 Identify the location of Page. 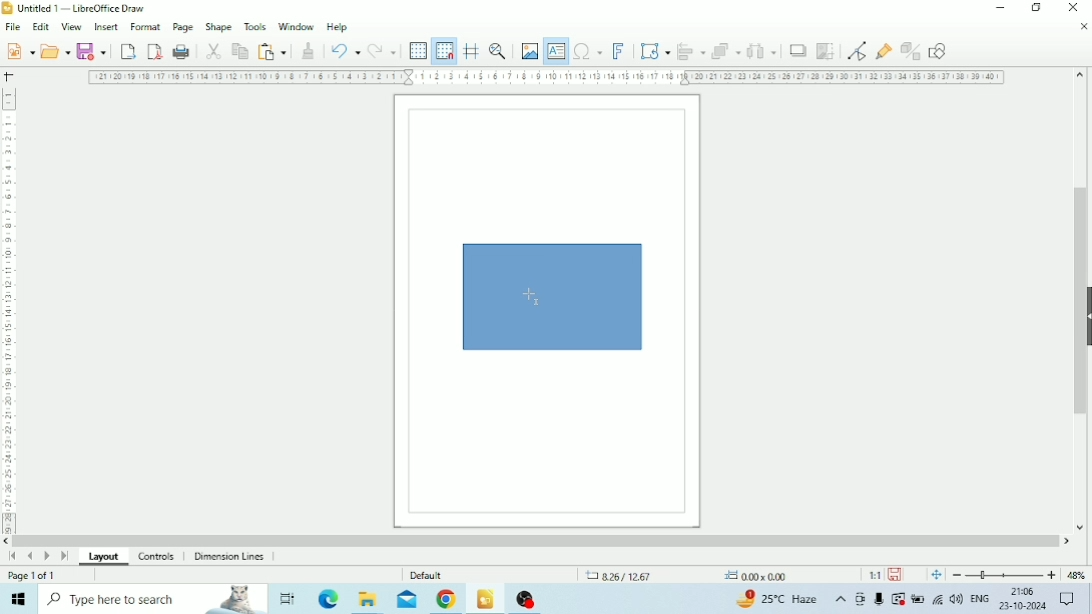
(182, 26).